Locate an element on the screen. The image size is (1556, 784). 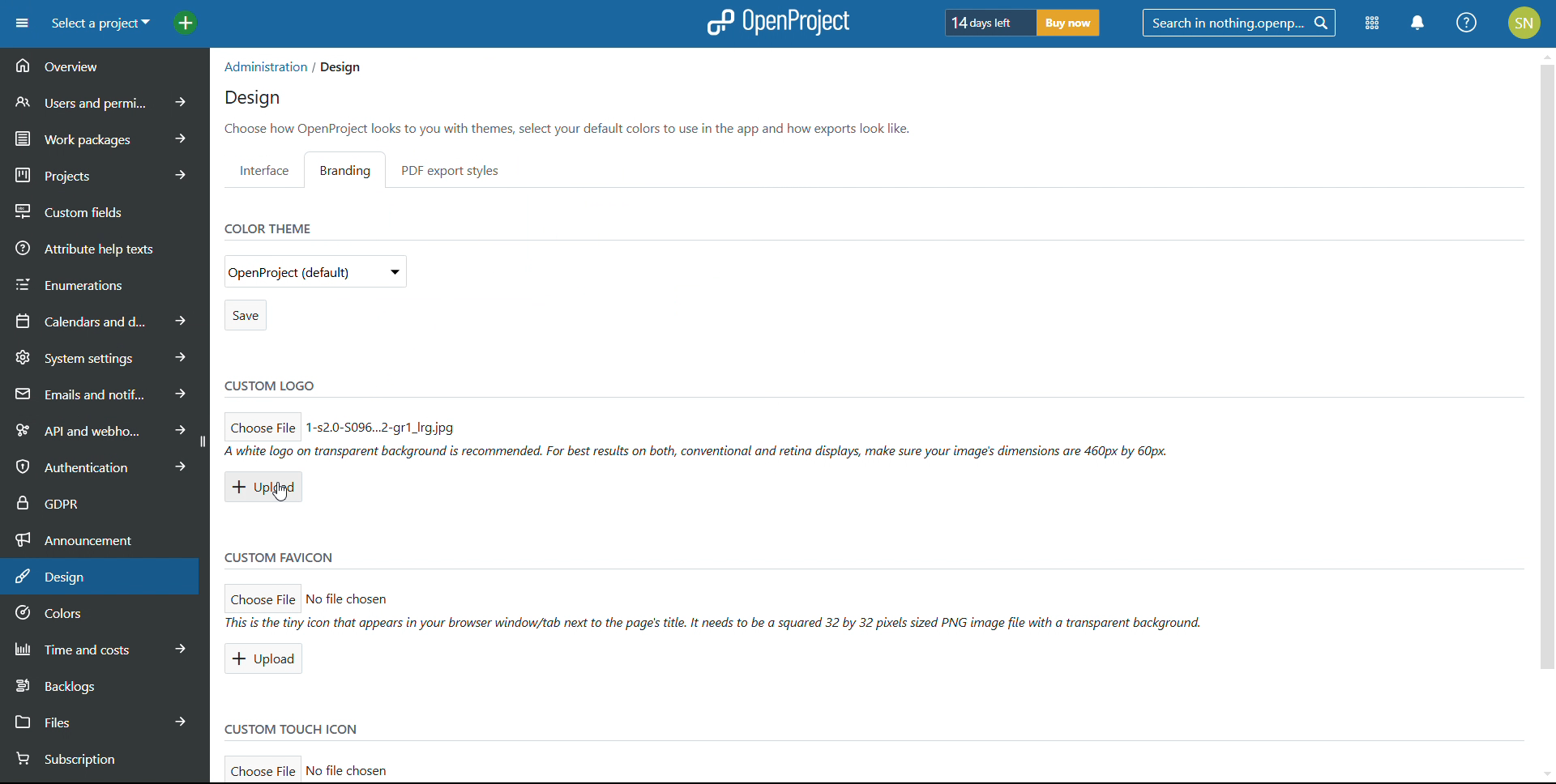
custom favicon is located at coordinates (280, 556).